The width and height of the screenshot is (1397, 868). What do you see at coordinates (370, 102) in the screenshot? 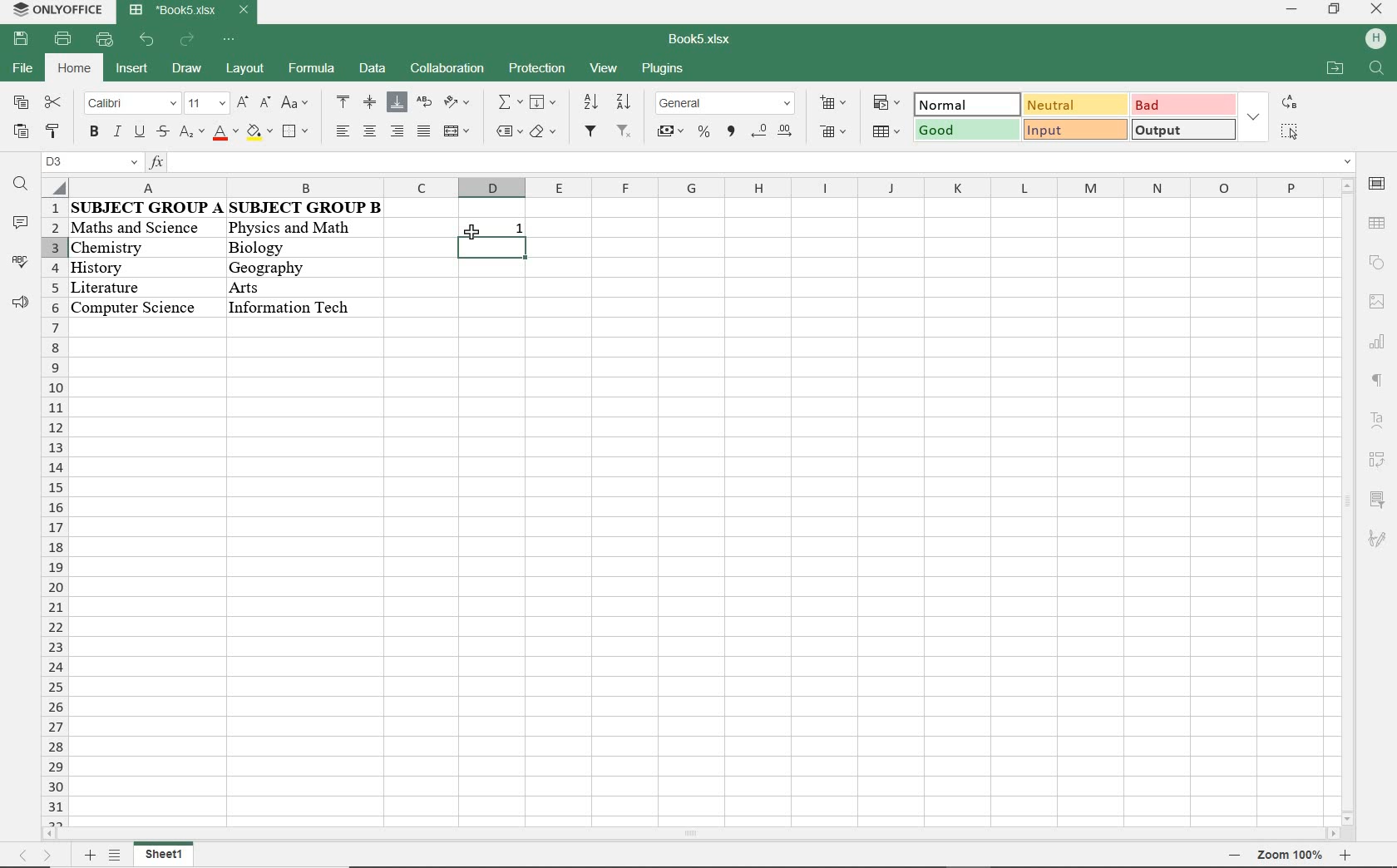
I see `align middle` at bounding box center [370, 102].